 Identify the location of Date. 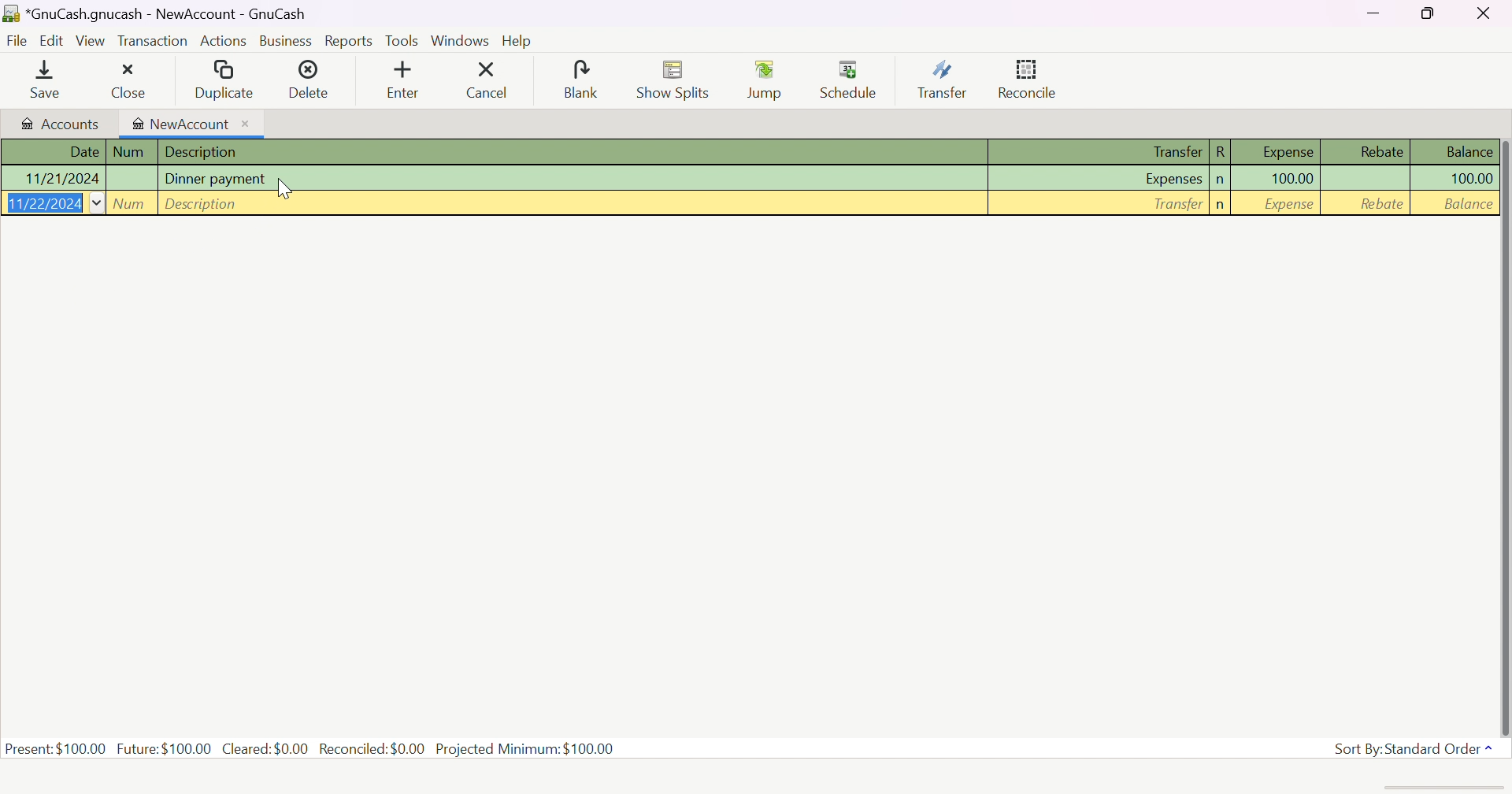
(83, 152).